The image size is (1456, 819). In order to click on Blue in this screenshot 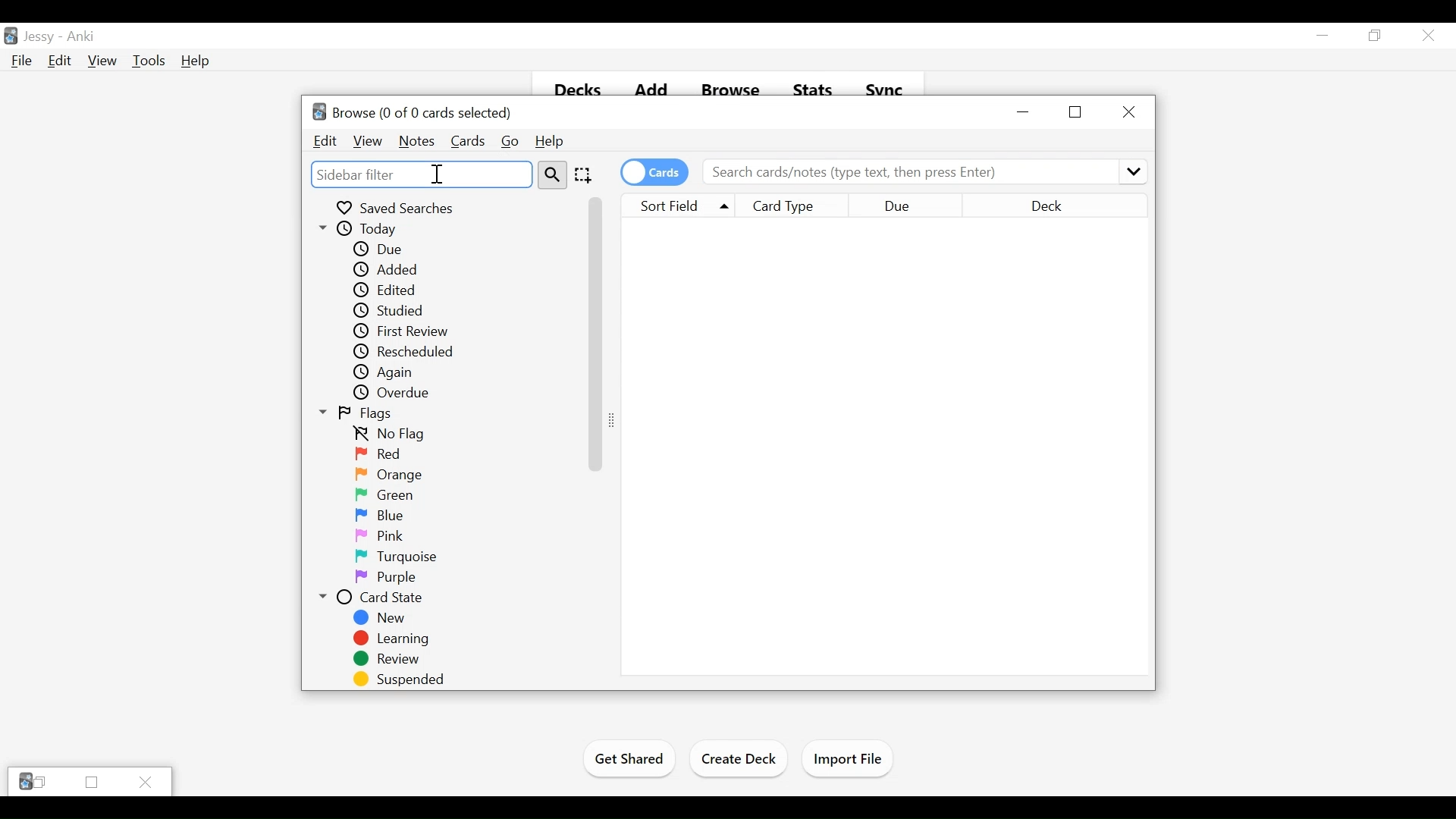, I will do `click(378, 516)`.